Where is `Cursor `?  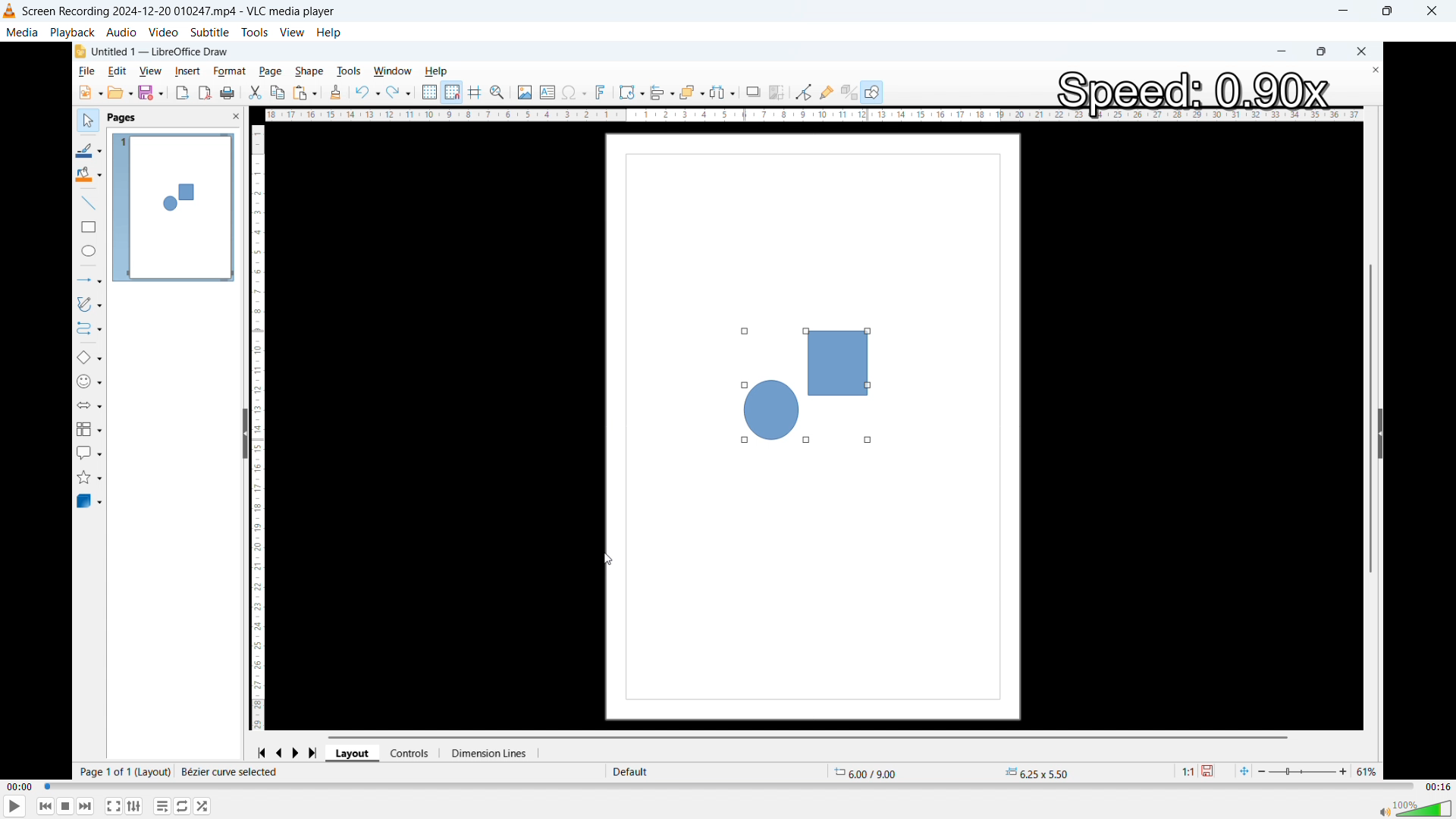 Cursor  is located at coordinates (608, 560).